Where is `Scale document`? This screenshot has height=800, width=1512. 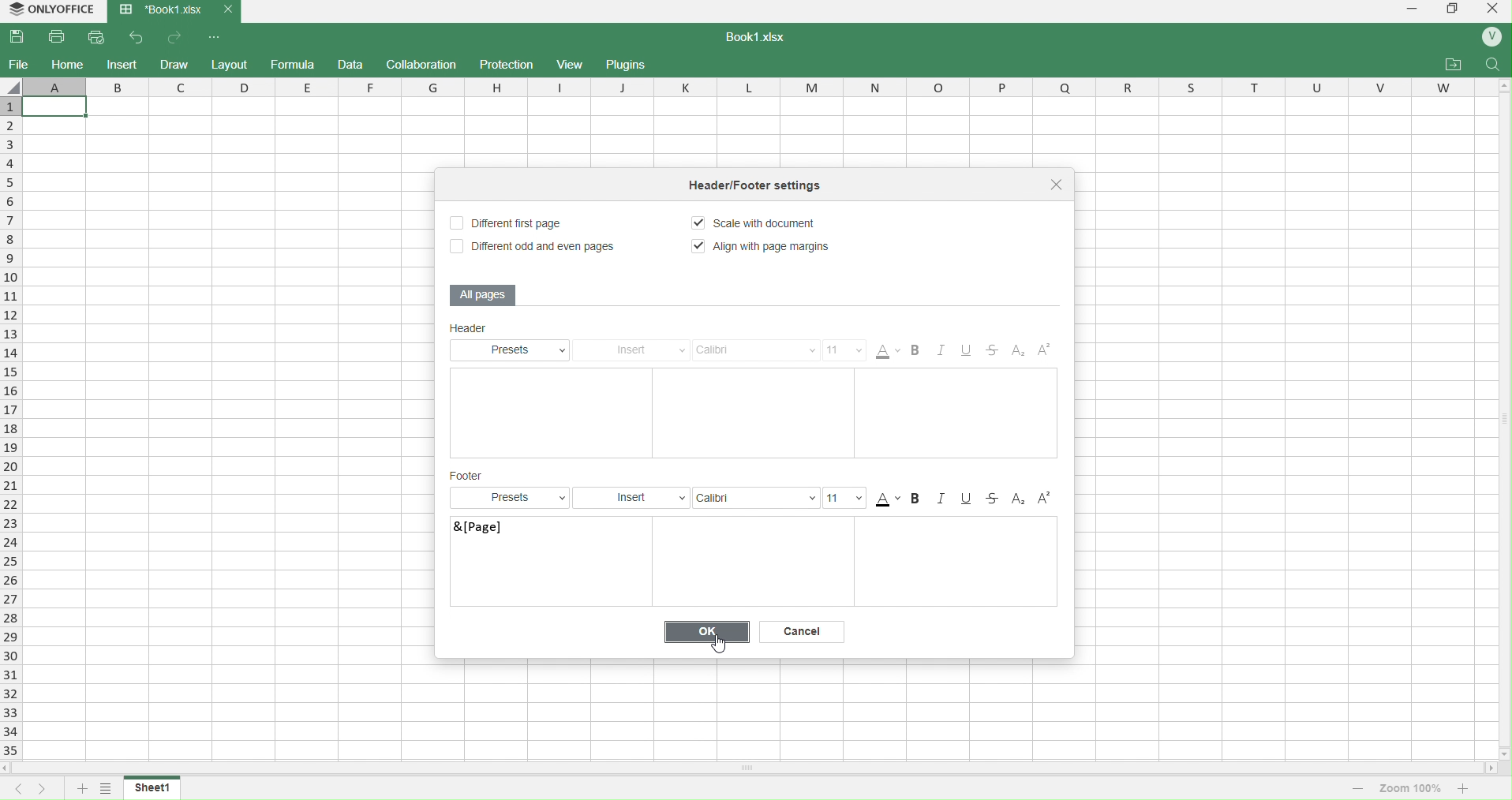
Scale document is located at coordinates (764, 225).